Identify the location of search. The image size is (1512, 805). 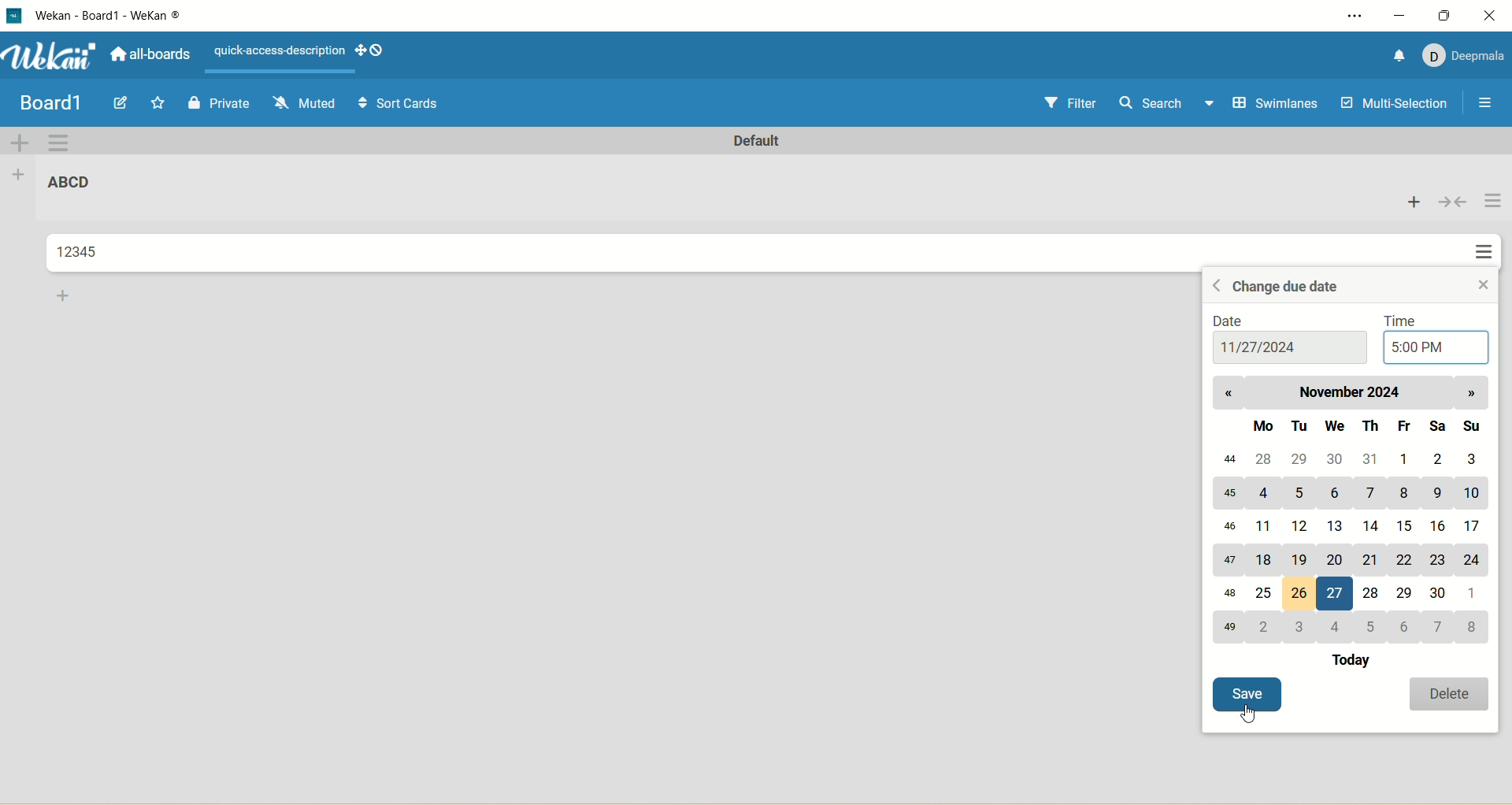
(1168, 105).